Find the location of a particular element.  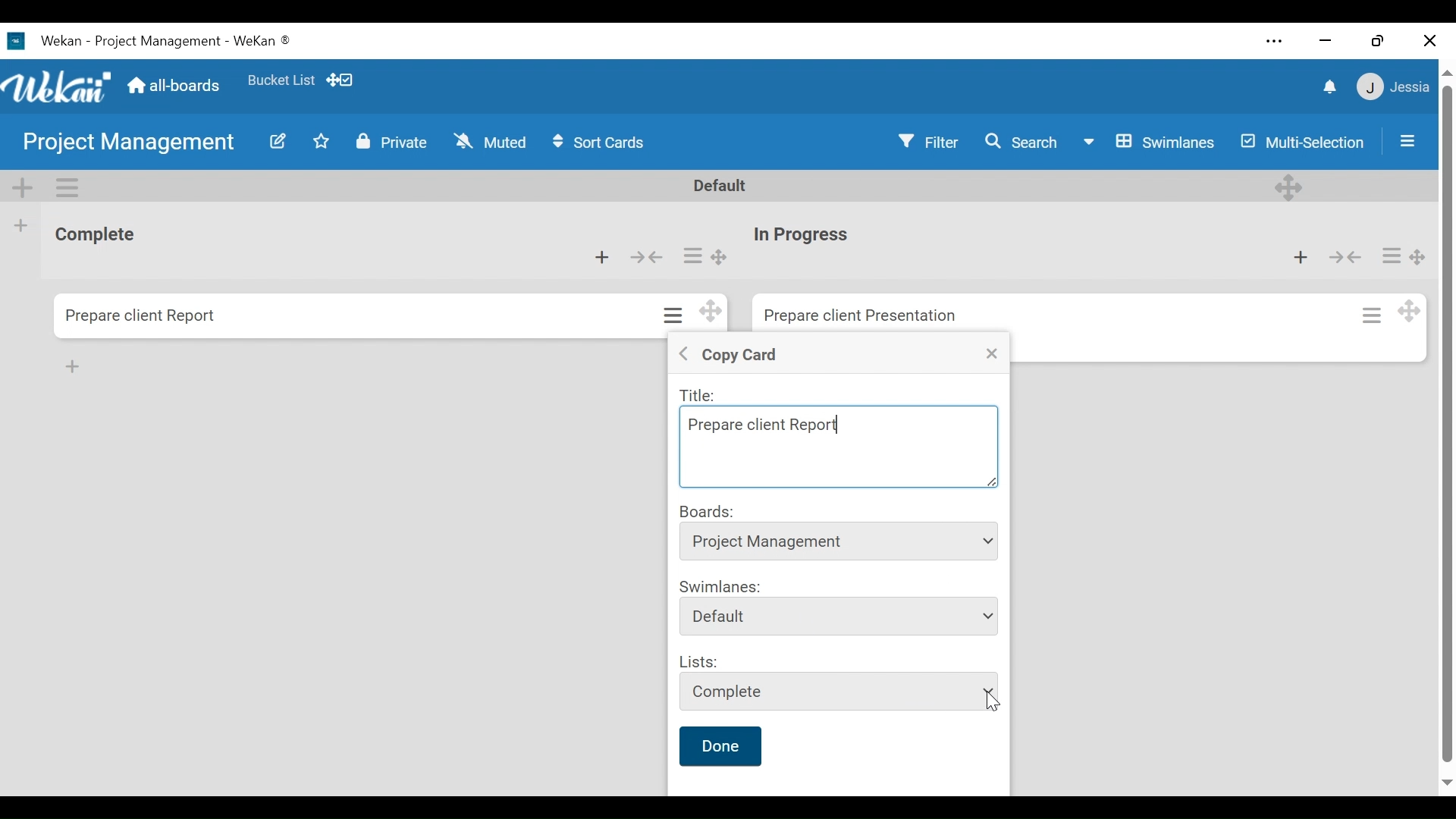

Collapse is located at coordinates (654, 257).